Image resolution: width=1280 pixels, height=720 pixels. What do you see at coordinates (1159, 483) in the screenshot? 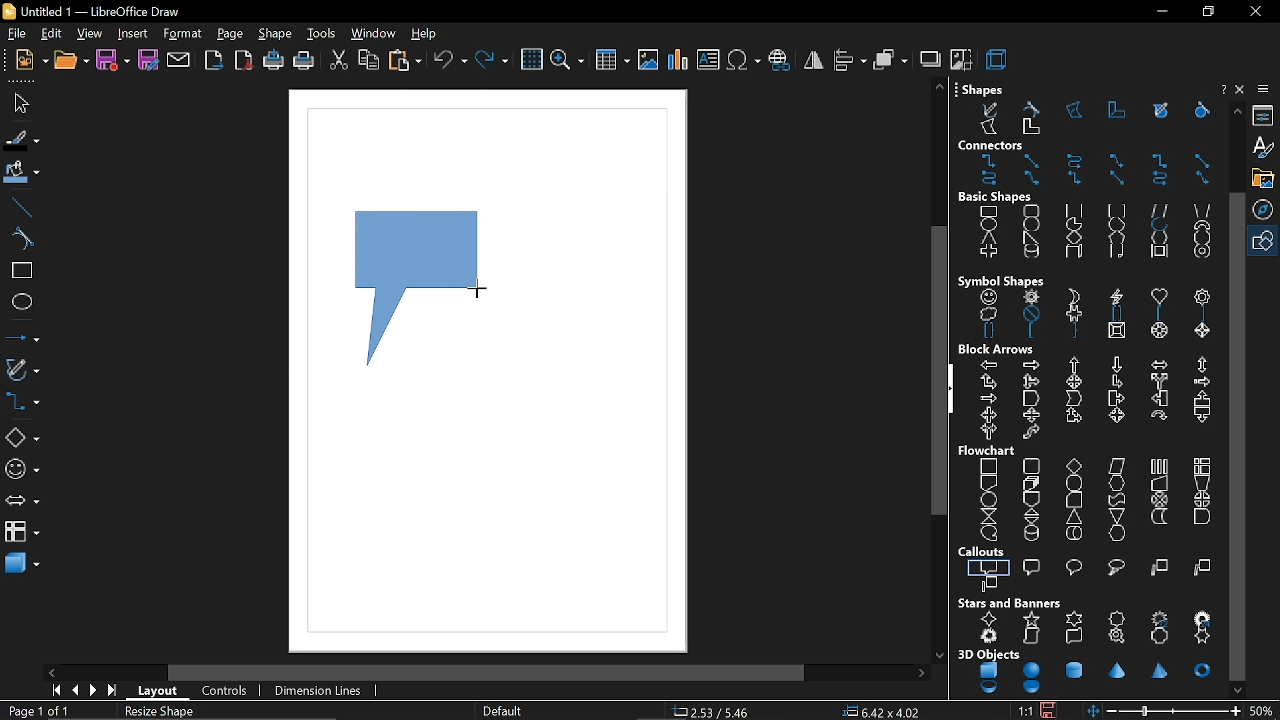
I see `manual input` at bounding box center [1159, 483].